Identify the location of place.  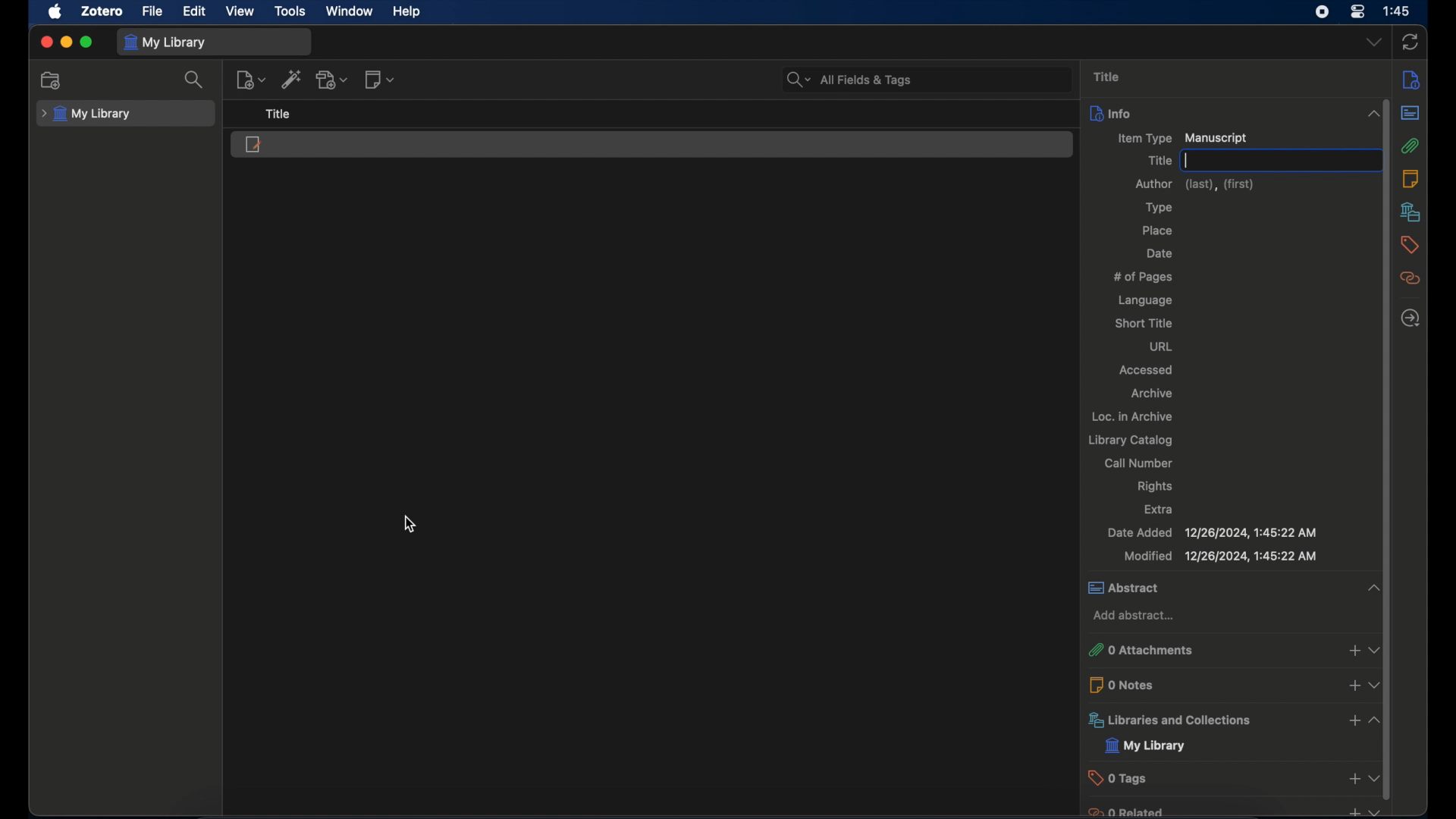
(1157, 230).